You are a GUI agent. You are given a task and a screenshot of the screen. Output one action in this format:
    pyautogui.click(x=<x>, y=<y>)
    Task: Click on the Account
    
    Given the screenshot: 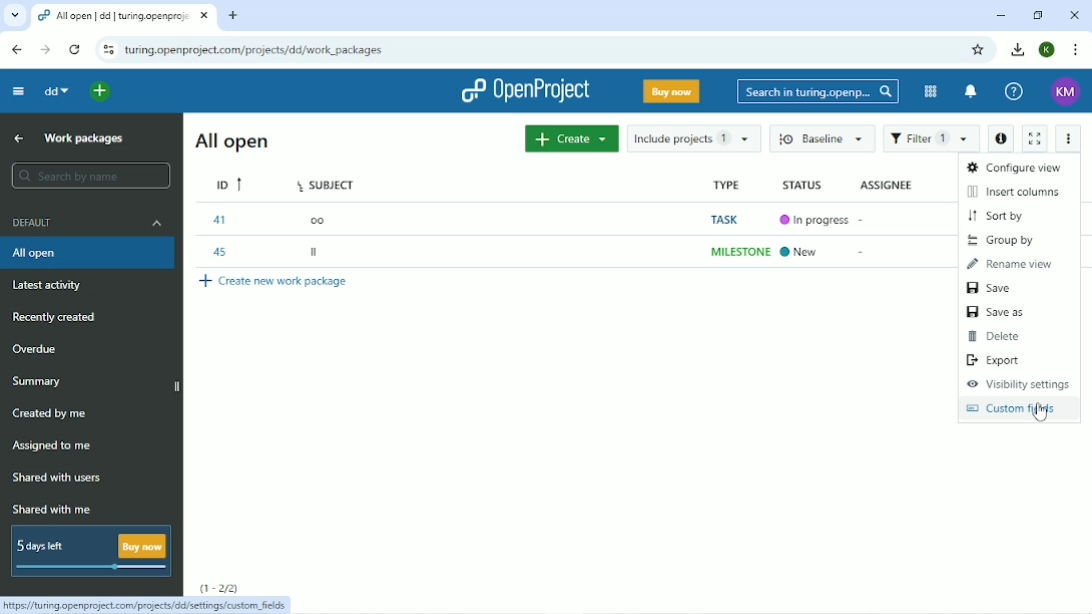 What is the action you would take?
    pyautogui.click(x=1066, y=92)
    